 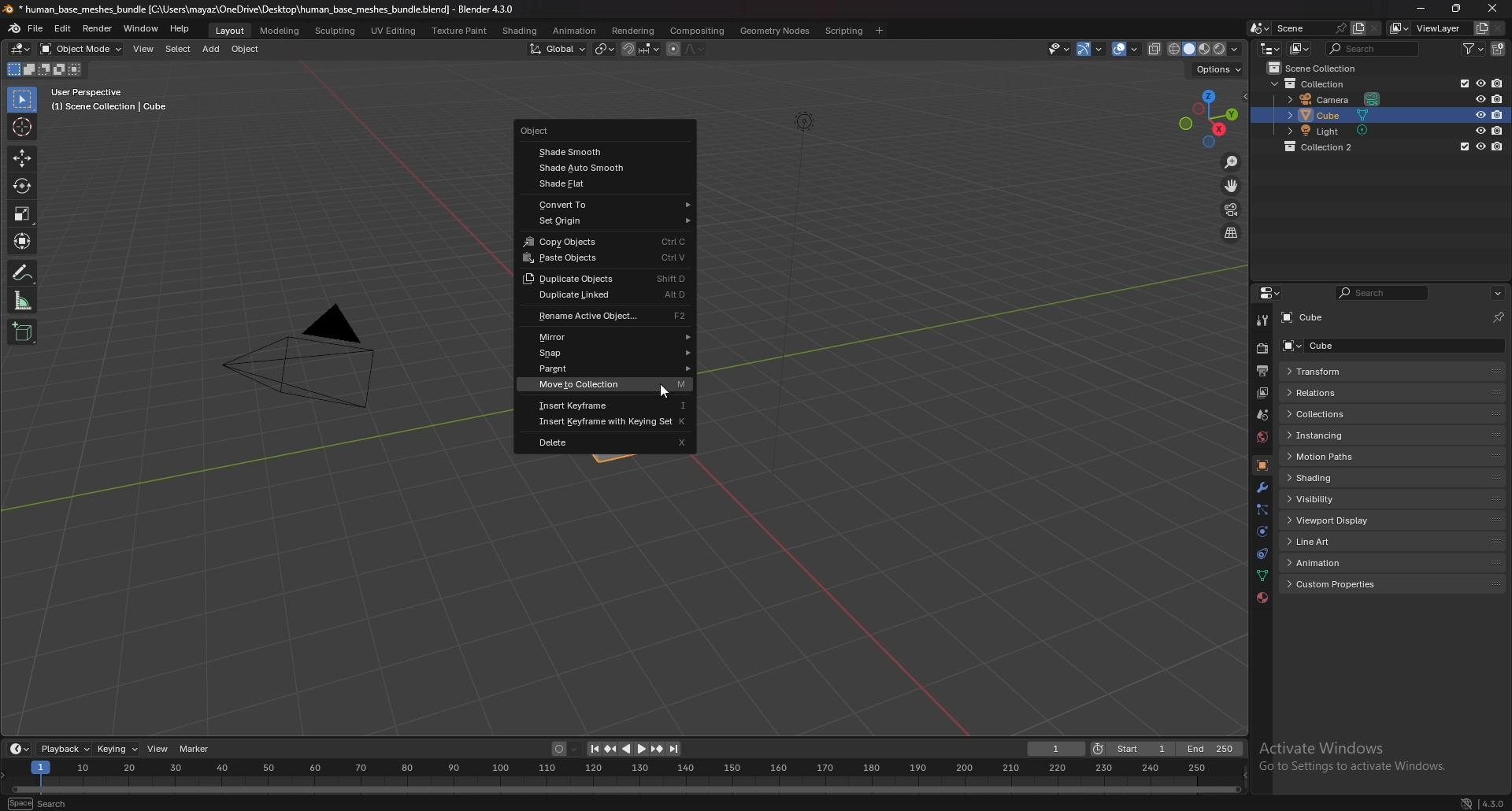 What do you see at coordinates (1302, 48) in the screenshot?
I see `display mode` at bounding box center [1302, 48].